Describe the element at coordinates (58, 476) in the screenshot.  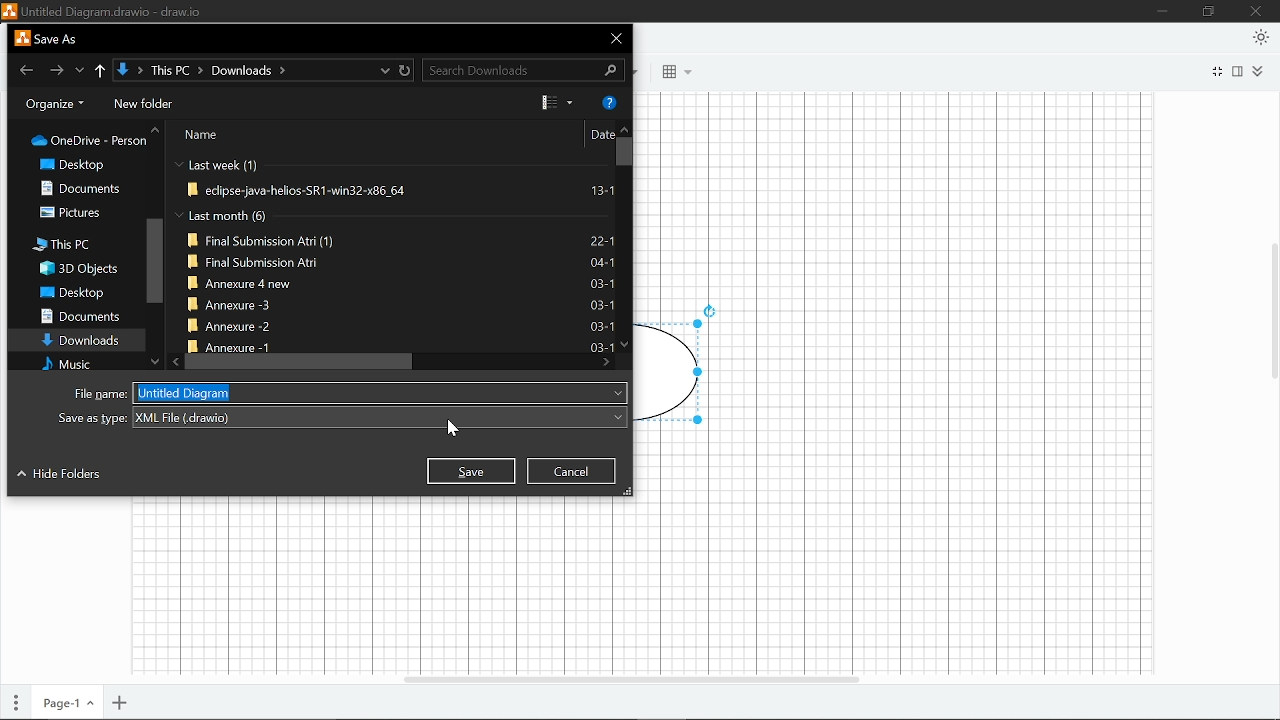
I see `Hide folders` at that location.